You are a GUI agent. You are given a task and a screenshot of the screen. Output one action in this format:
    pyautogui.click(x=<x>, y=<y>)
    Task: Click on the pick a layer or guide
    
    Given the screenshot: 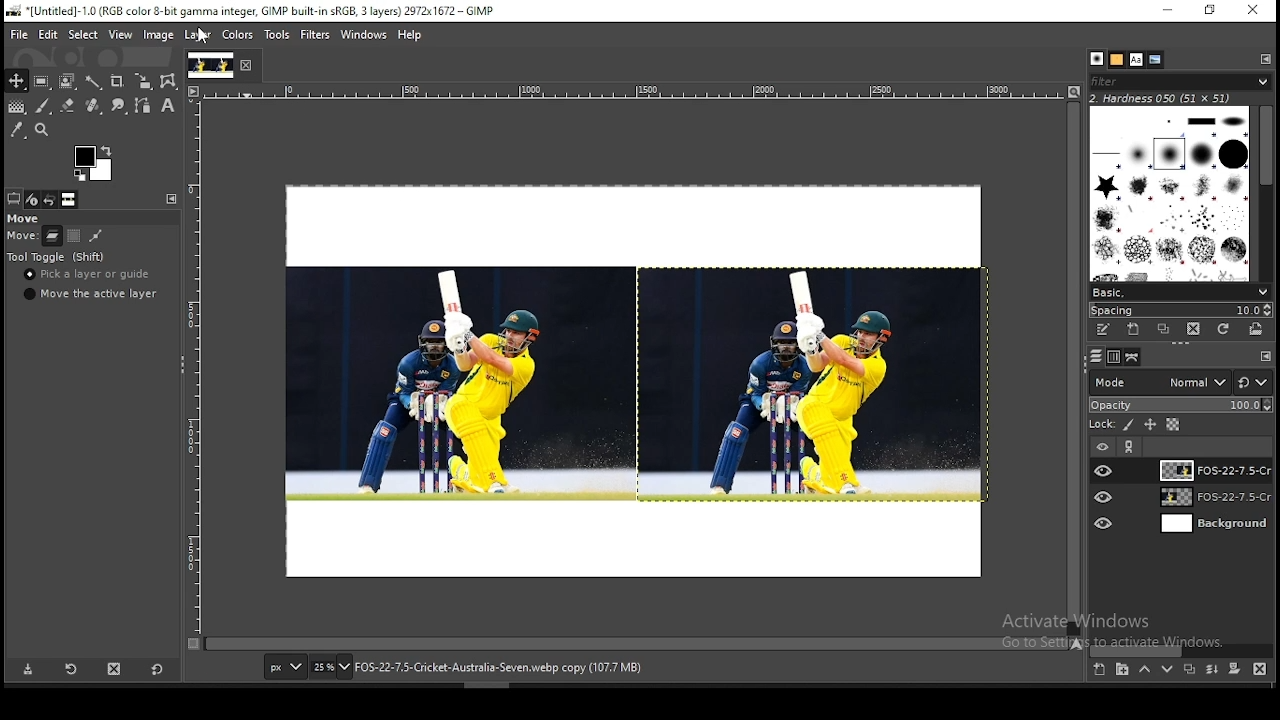 What is the action you would take?
    pyautogui.click(x=89, y=276)
    